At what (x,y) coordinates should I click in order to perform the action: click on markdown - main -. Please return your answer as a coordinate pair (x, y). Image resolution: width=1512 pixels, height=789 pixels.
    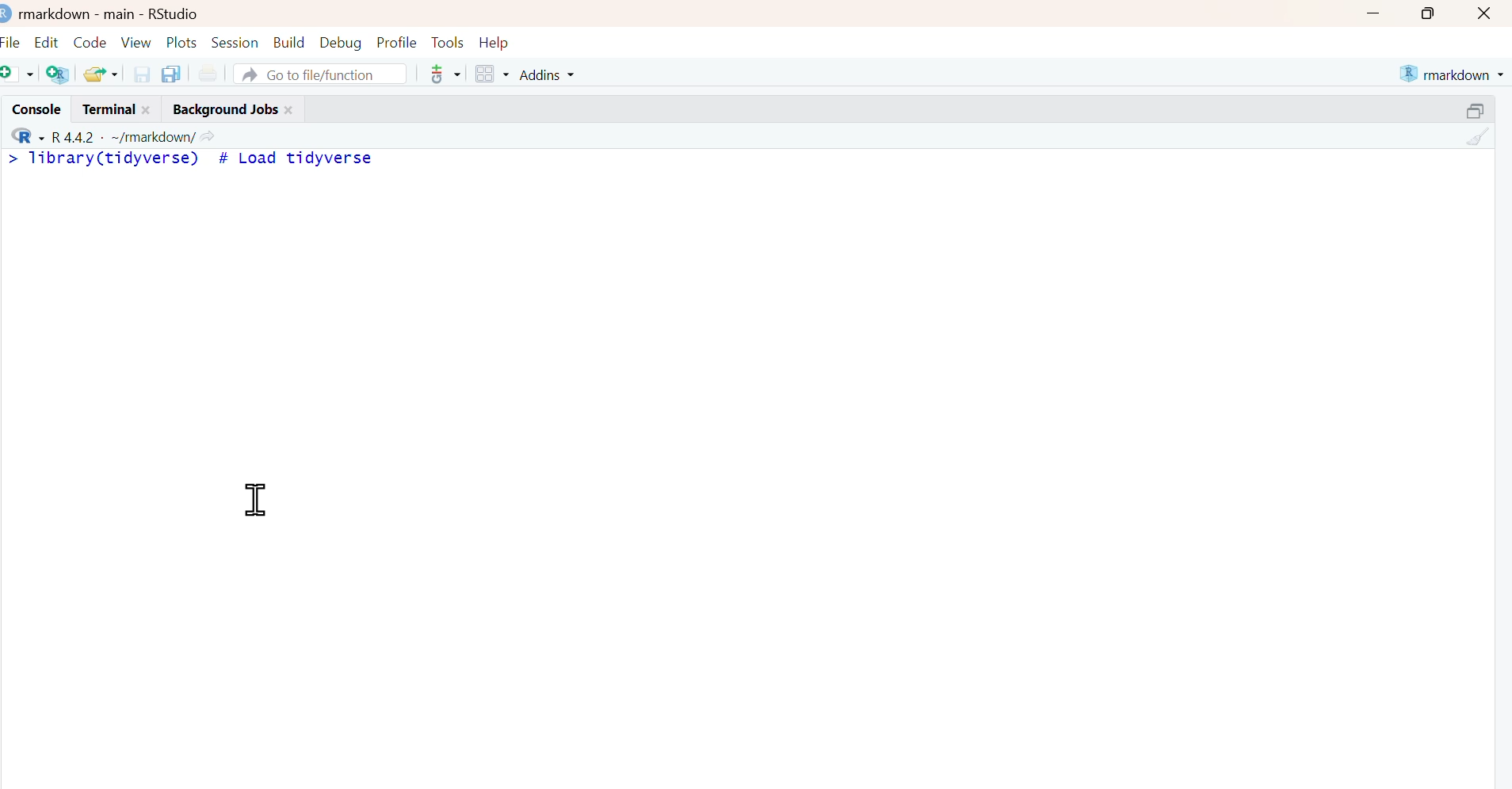
    Looking at the image, I should click on (78, 12).